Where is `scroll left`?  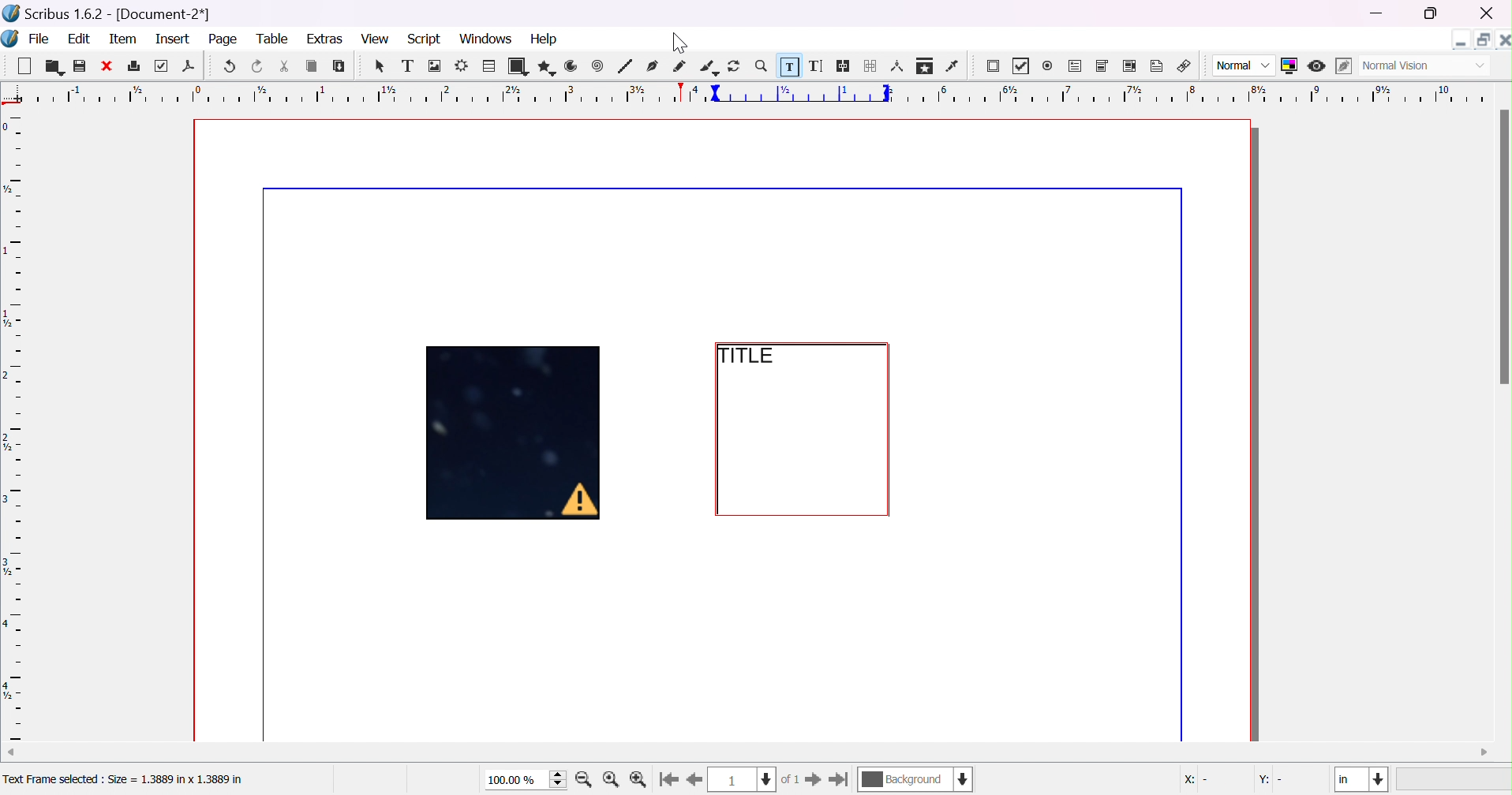 scroll left is located at coordinates (9, 751).